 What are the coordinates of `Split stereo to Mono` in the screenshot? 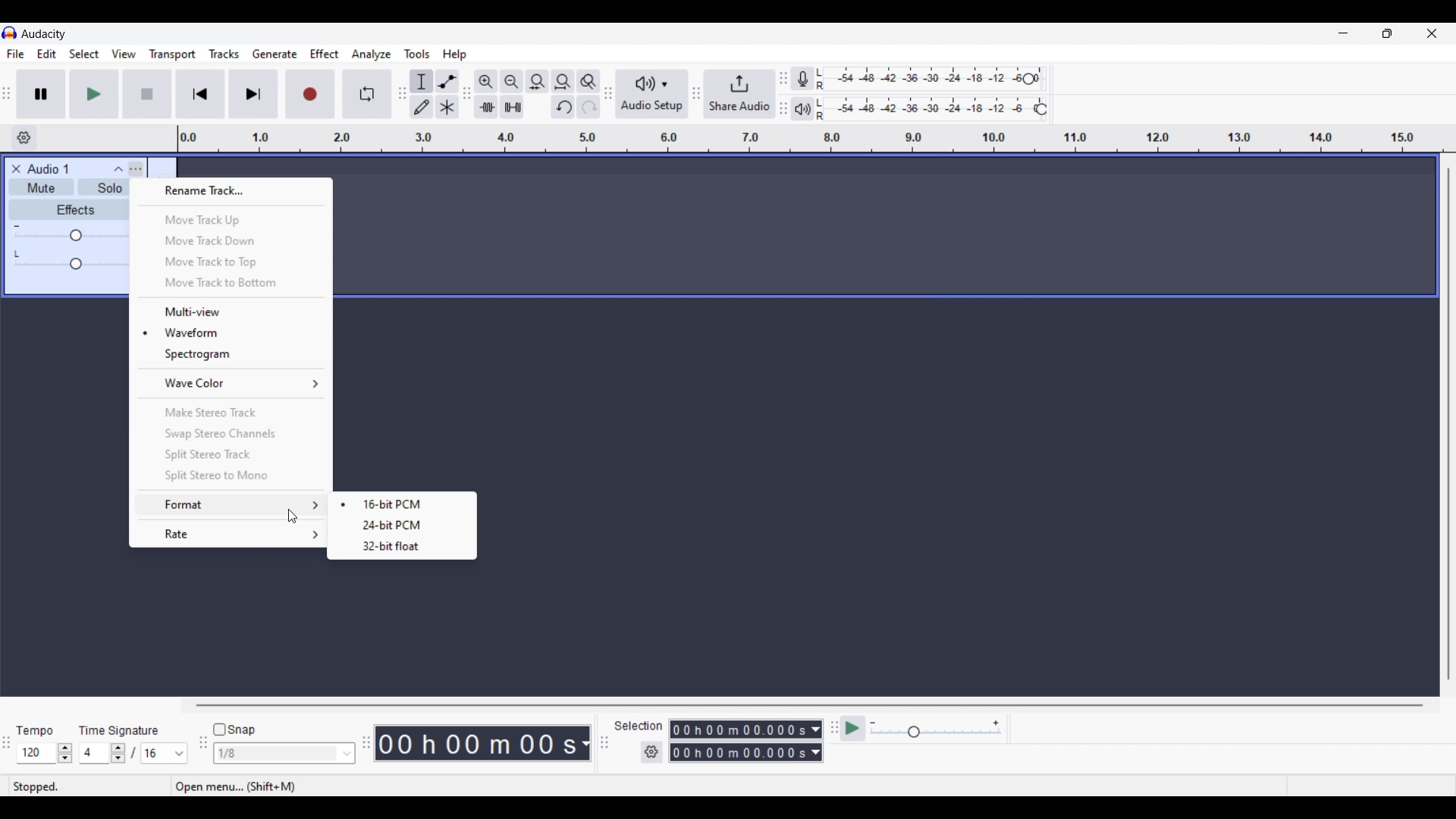 It's located at (231, 476).